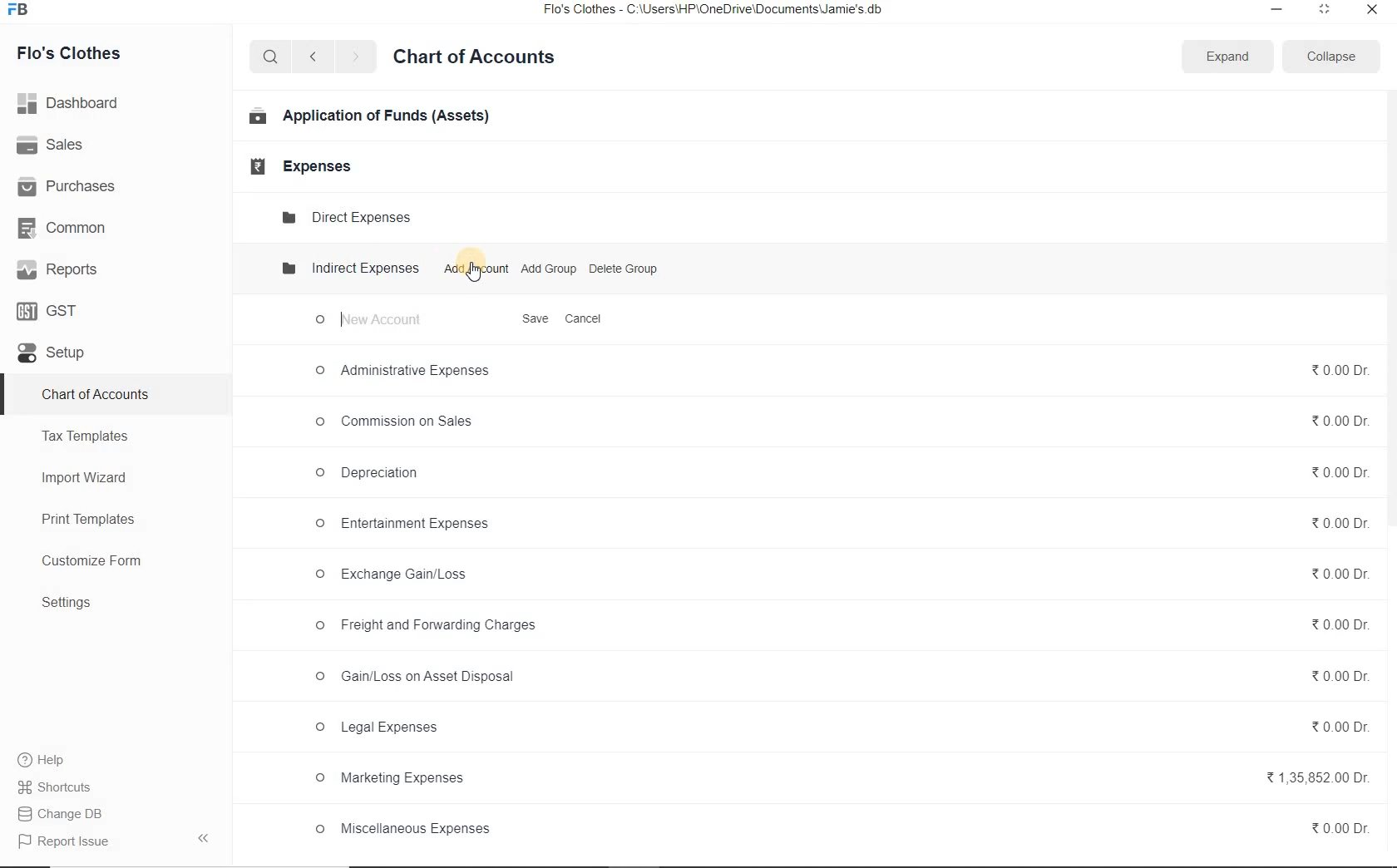 Image resolution: width=1397 pixels, height=868 pixels. I want to click on © Miscellaneous Expenses %0.00Dr., so click(841, 830).